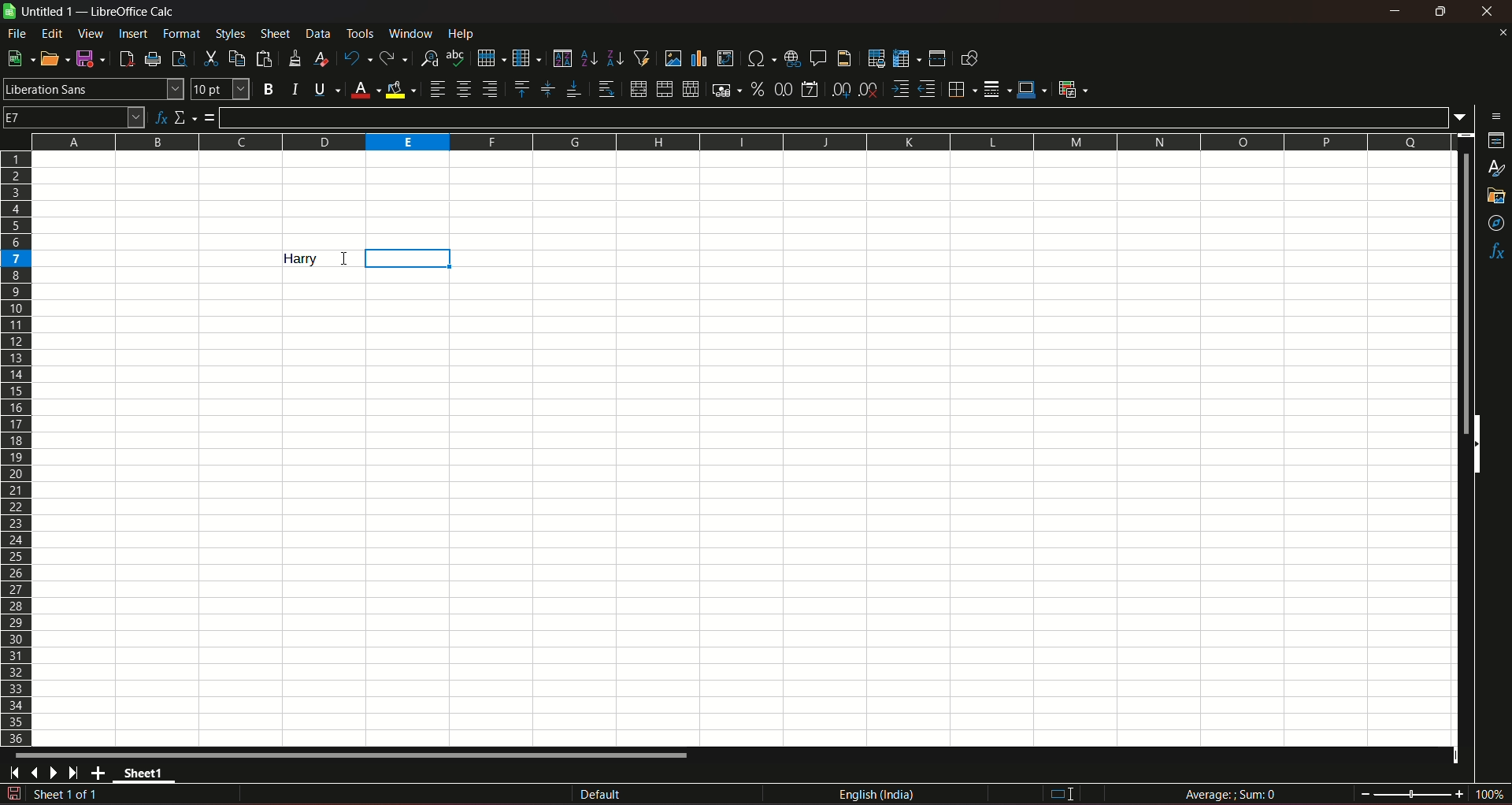 Image resolution: width=1512 pixels, height=805 pixels. What do you see at coordinates (547, 89) in the screenshot?
I see `center vertically` at bounding box center [547, 89].